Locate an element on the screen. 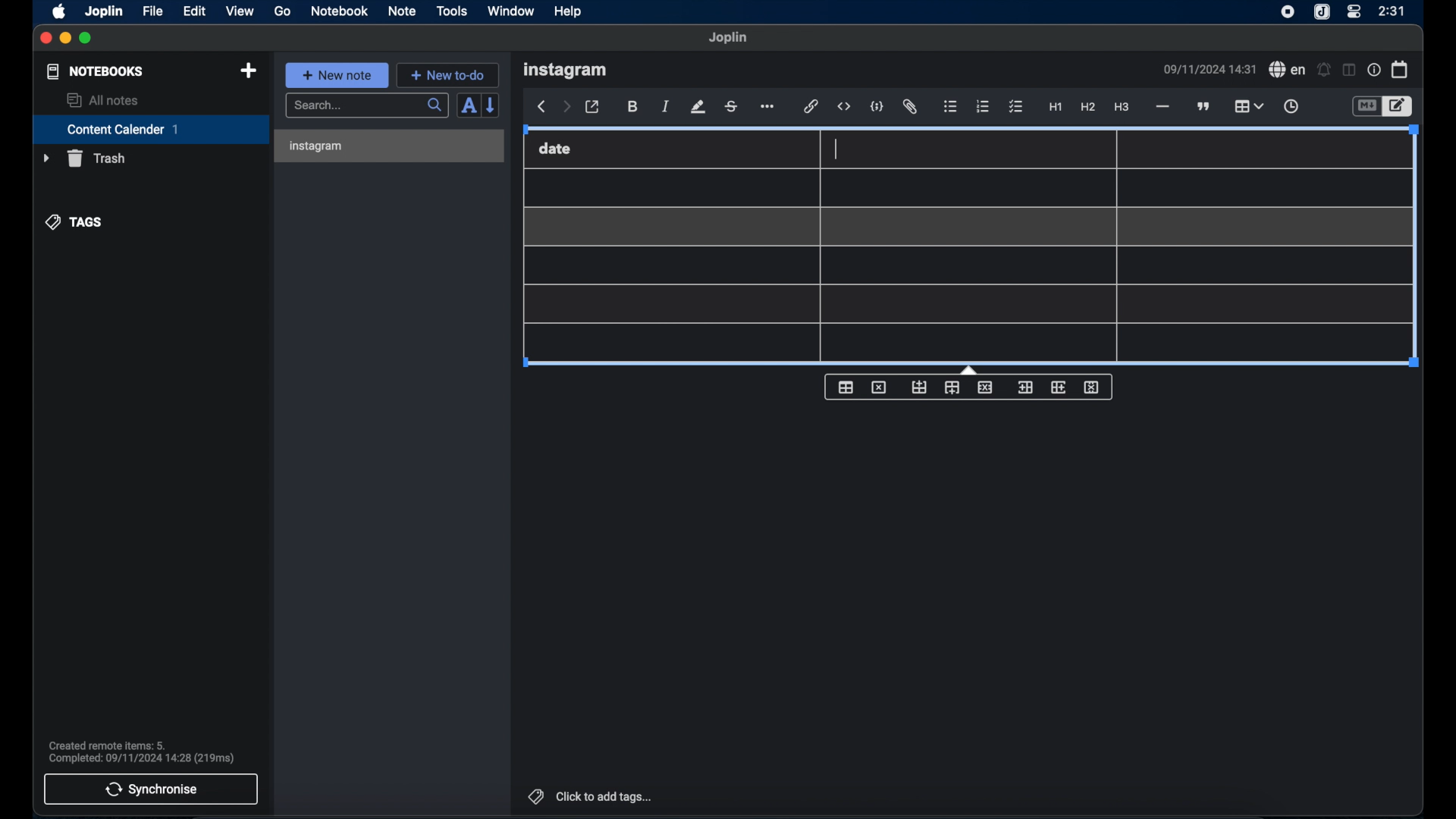  text cursor is located at coordinates (836, 149).